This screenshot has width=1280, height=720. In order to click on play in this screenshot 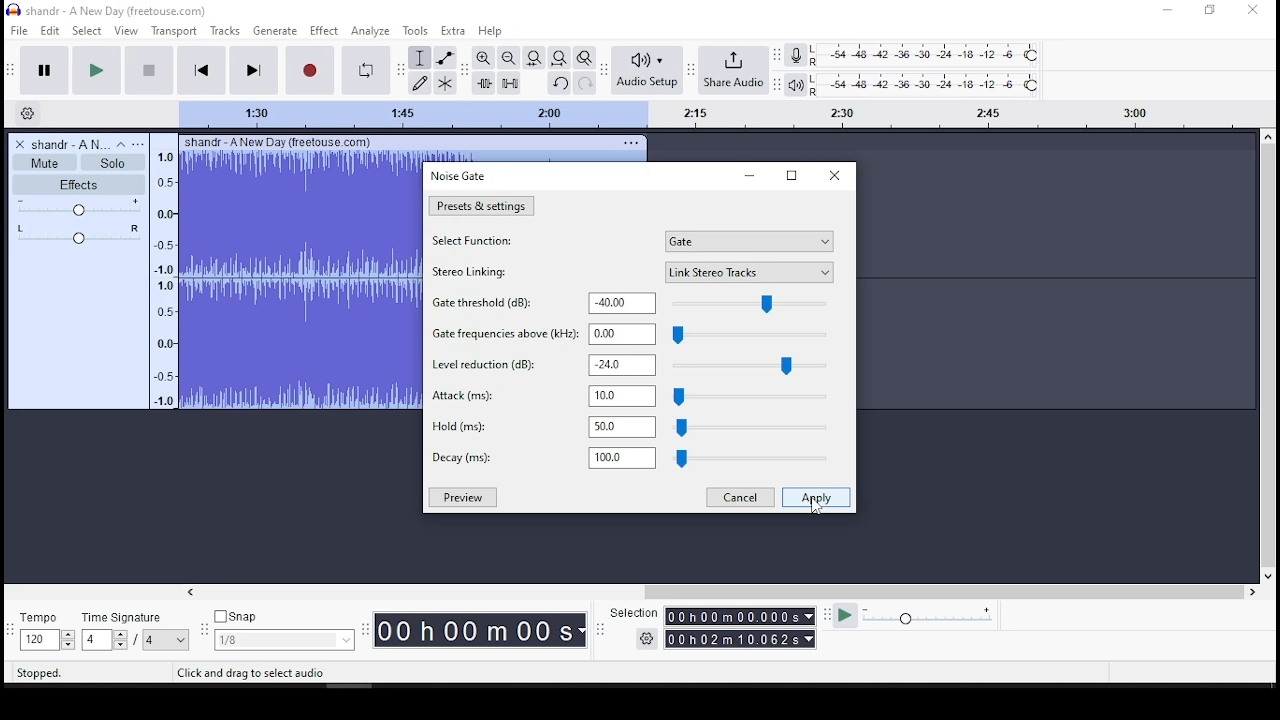, I will do `click(97, 71)`.